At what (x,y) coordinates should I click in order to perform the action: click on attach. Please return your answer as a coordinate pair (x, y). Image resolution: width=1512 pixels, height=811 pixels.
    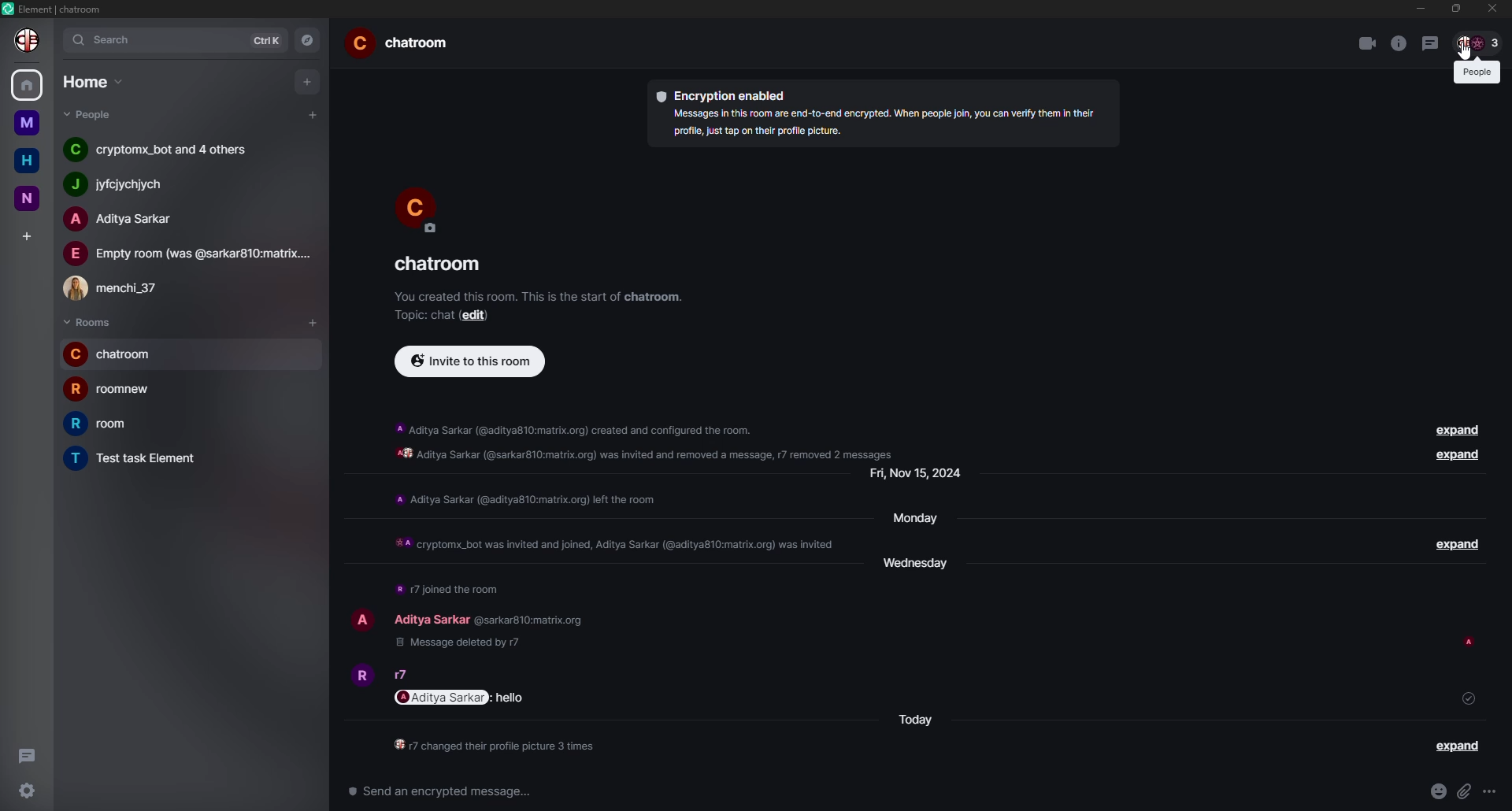
    Looking at the image, I should click on (1463, 791).